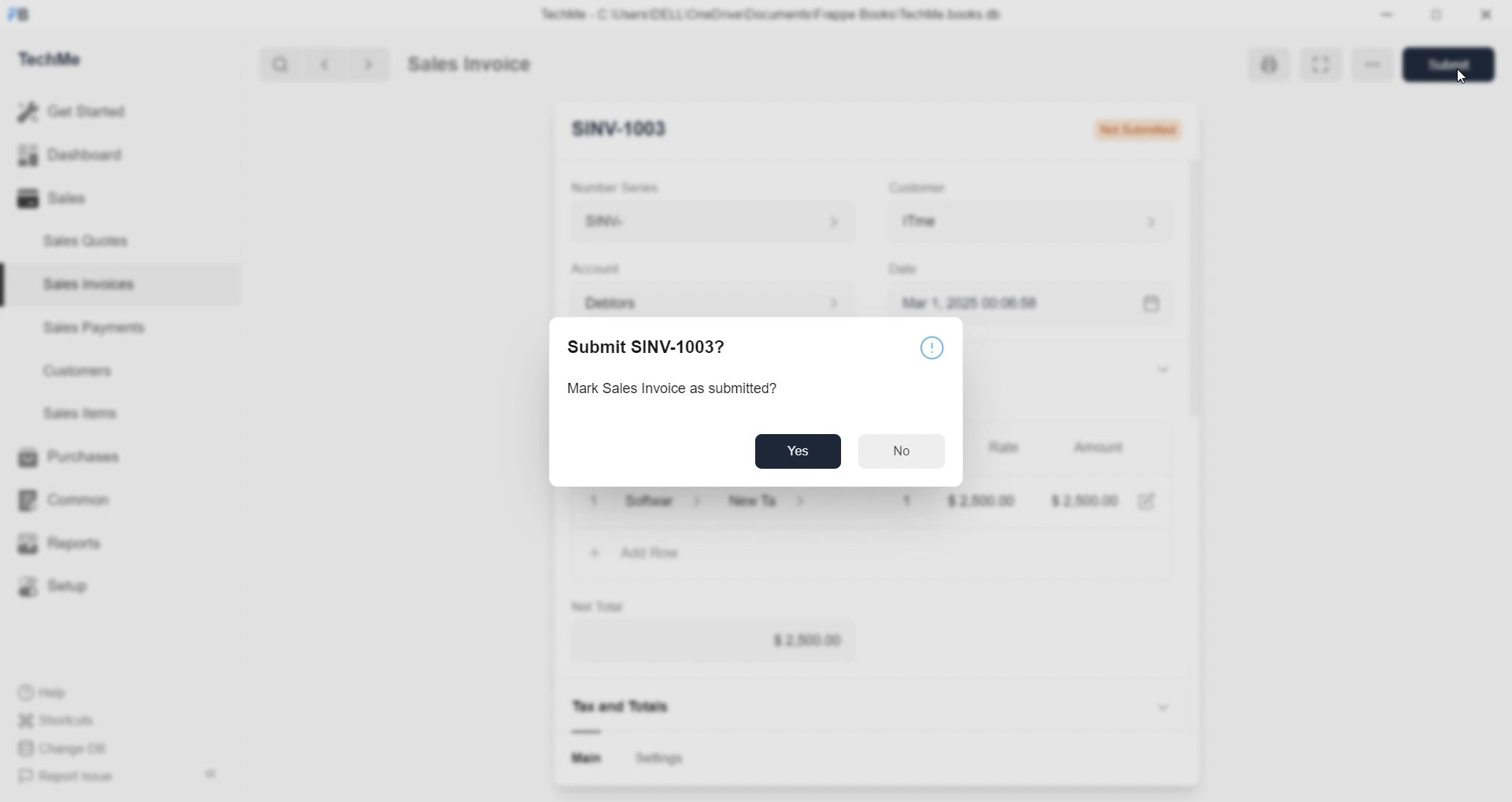  What do you see at coordinates (691, 389) in the screenshot?
I see `Mark Sales Invoice as submitted?` at bounding box center [691, 389].